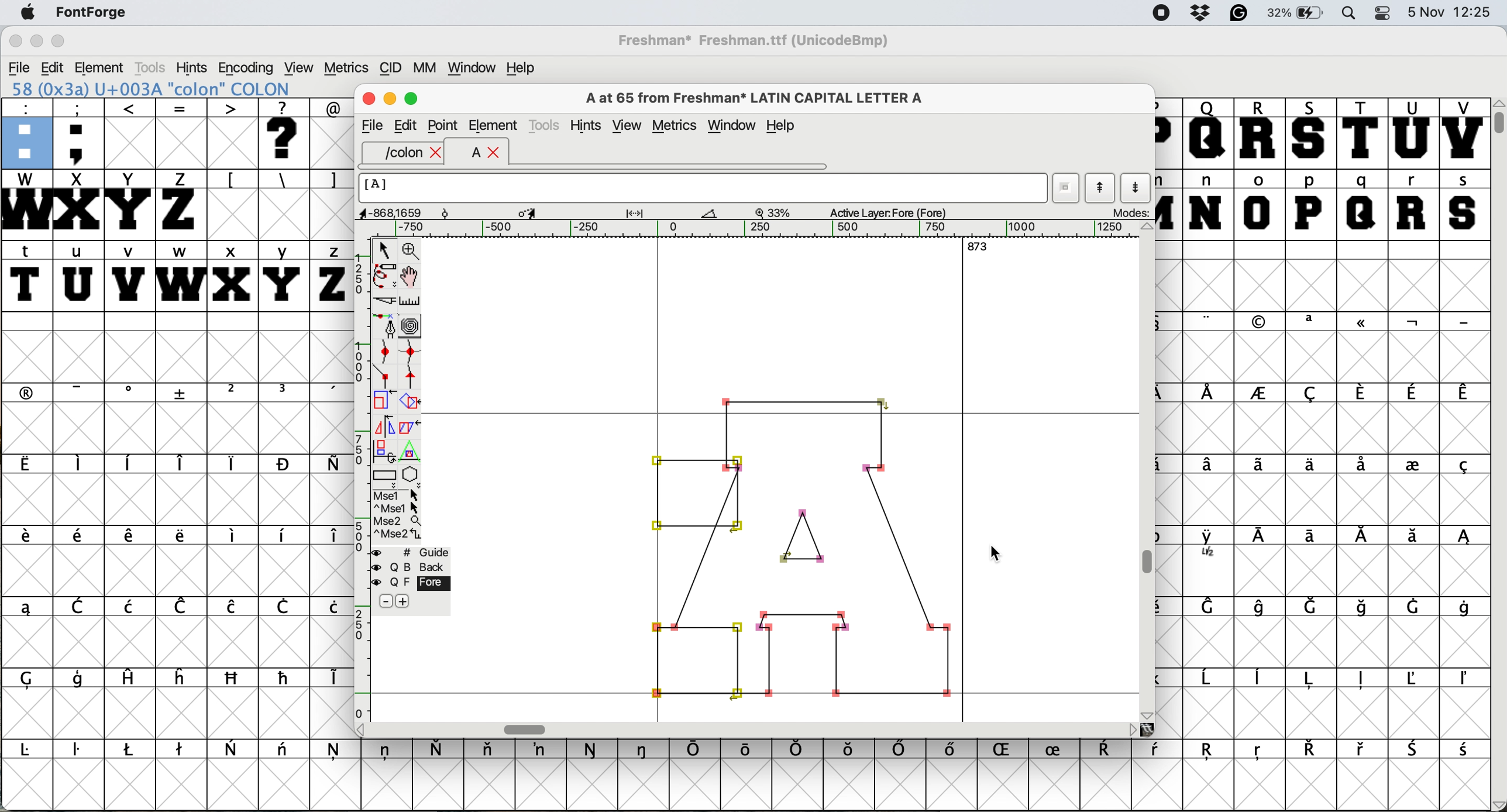  I want to click on ], so click(332, 180).